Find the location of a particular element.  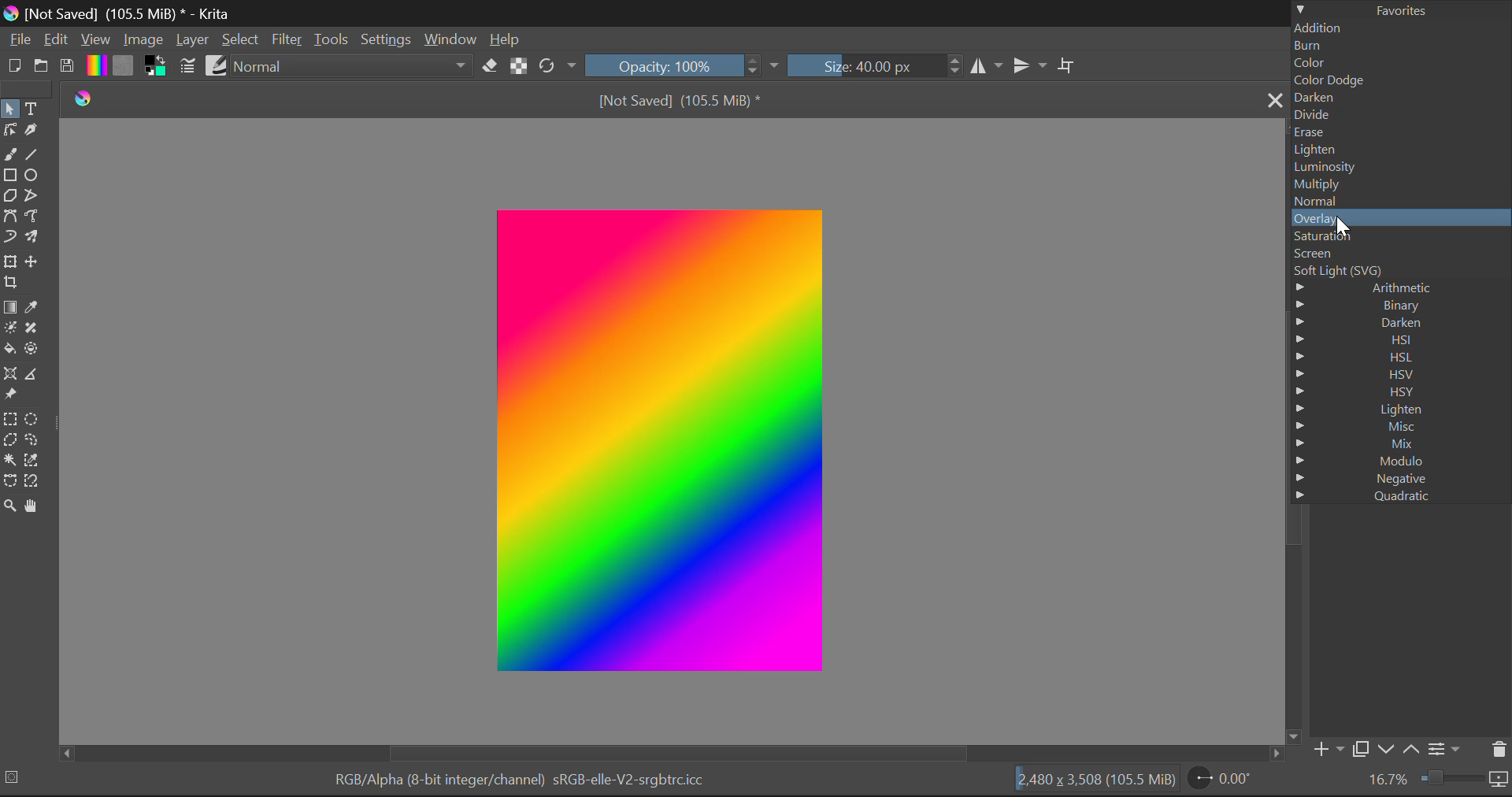

Filter is located at coordinates (290, 39).